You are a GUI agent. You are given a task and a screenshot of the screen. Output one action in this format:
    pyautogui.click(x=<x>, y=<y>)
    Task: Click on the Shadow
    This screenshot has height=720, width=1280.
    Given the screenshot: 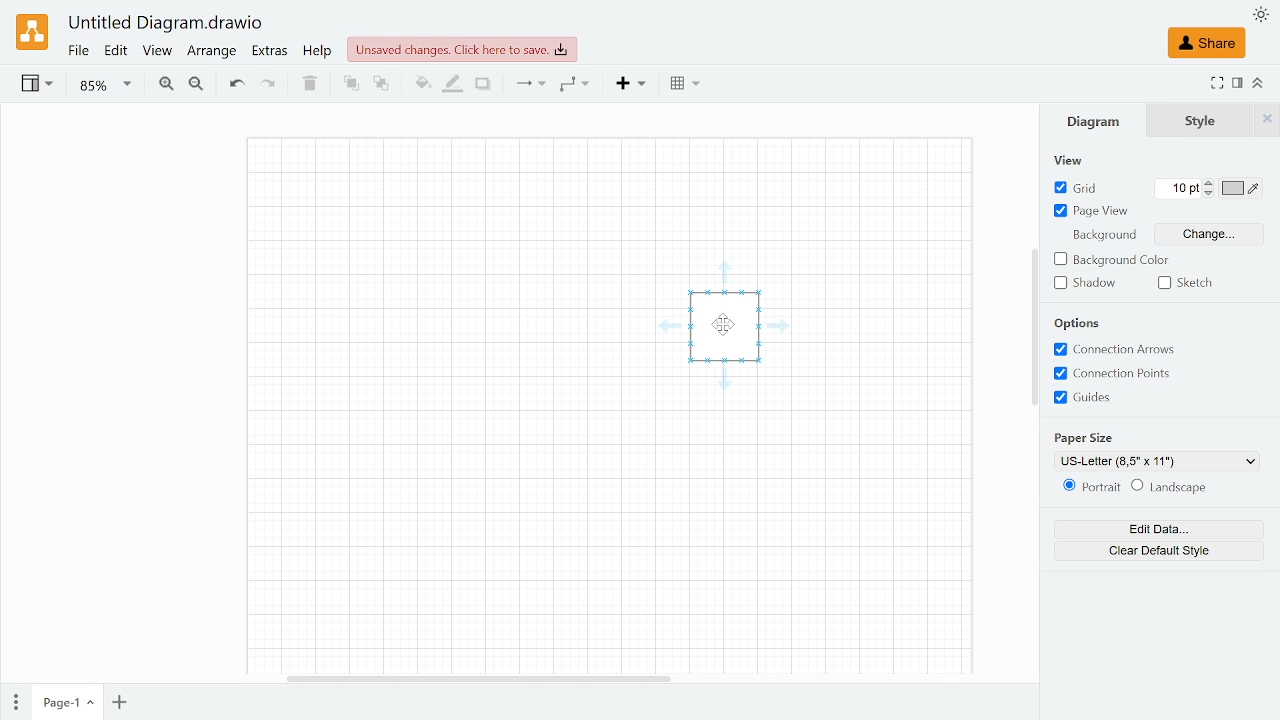 What is the action you would take?
    pyautogui.click(x=483, y=85)
    